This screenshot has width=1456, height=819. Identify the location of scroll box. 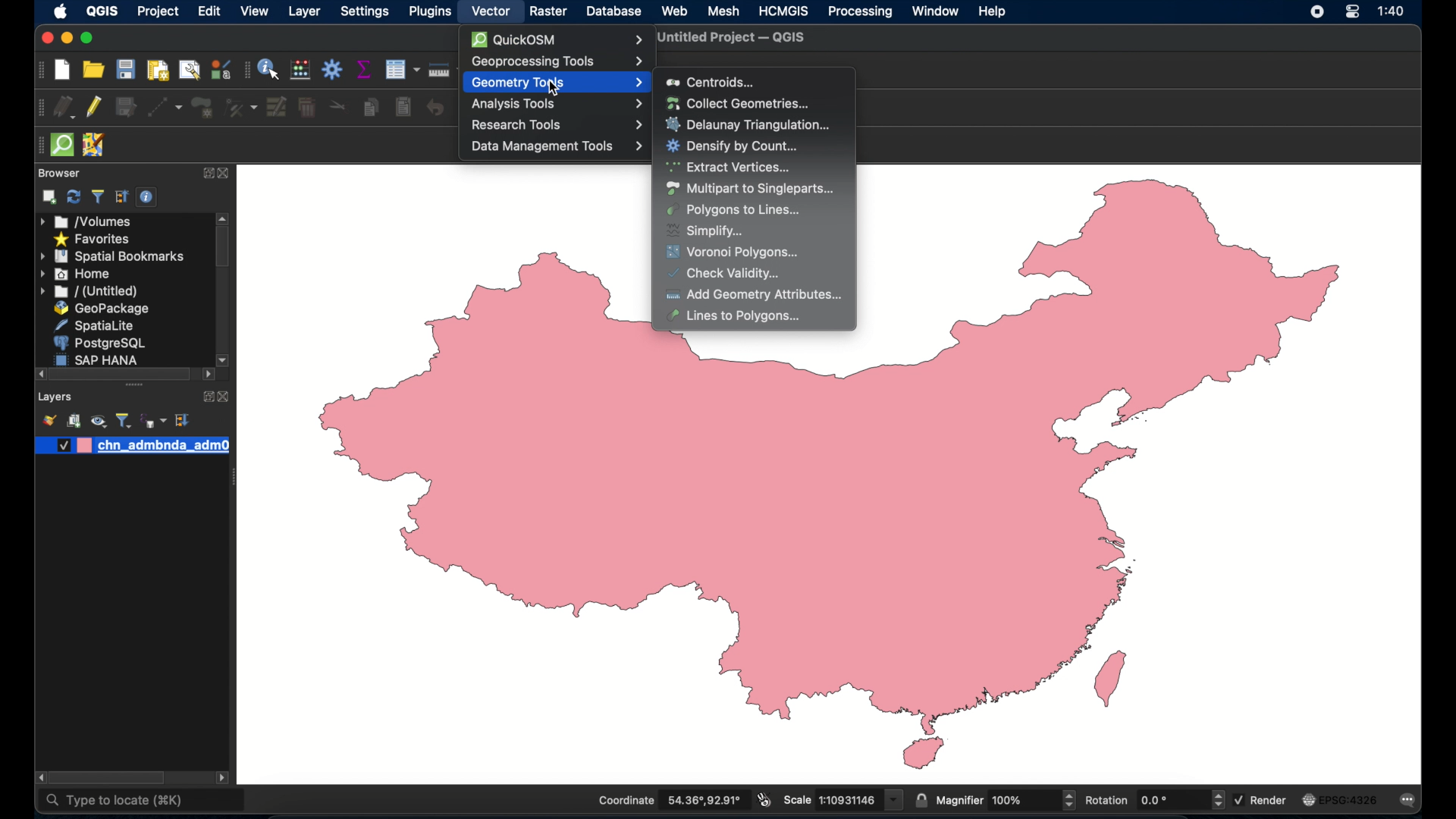
(119, 374).